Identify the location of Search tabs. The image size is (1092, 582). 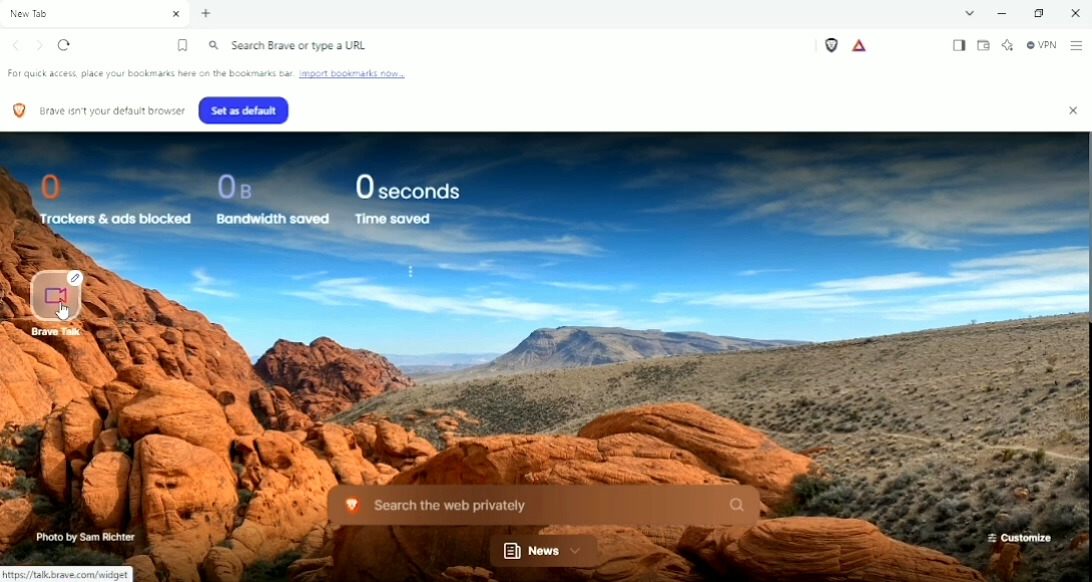
(971, 13).